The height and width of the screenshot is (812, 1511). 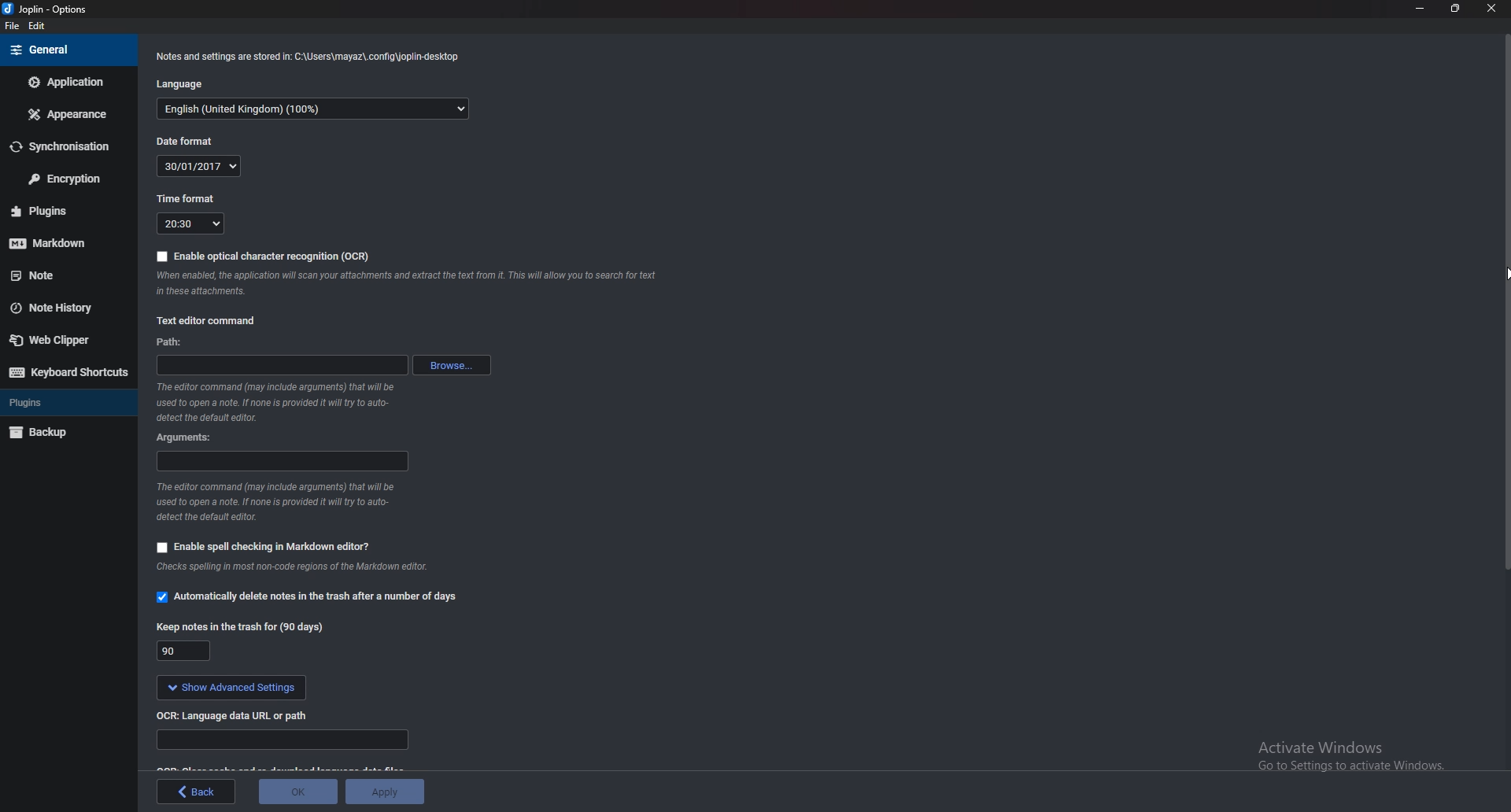 What do you see at coordinates (177, 342) in the screenshot?
I see `path` at bounding box center [177, 342].